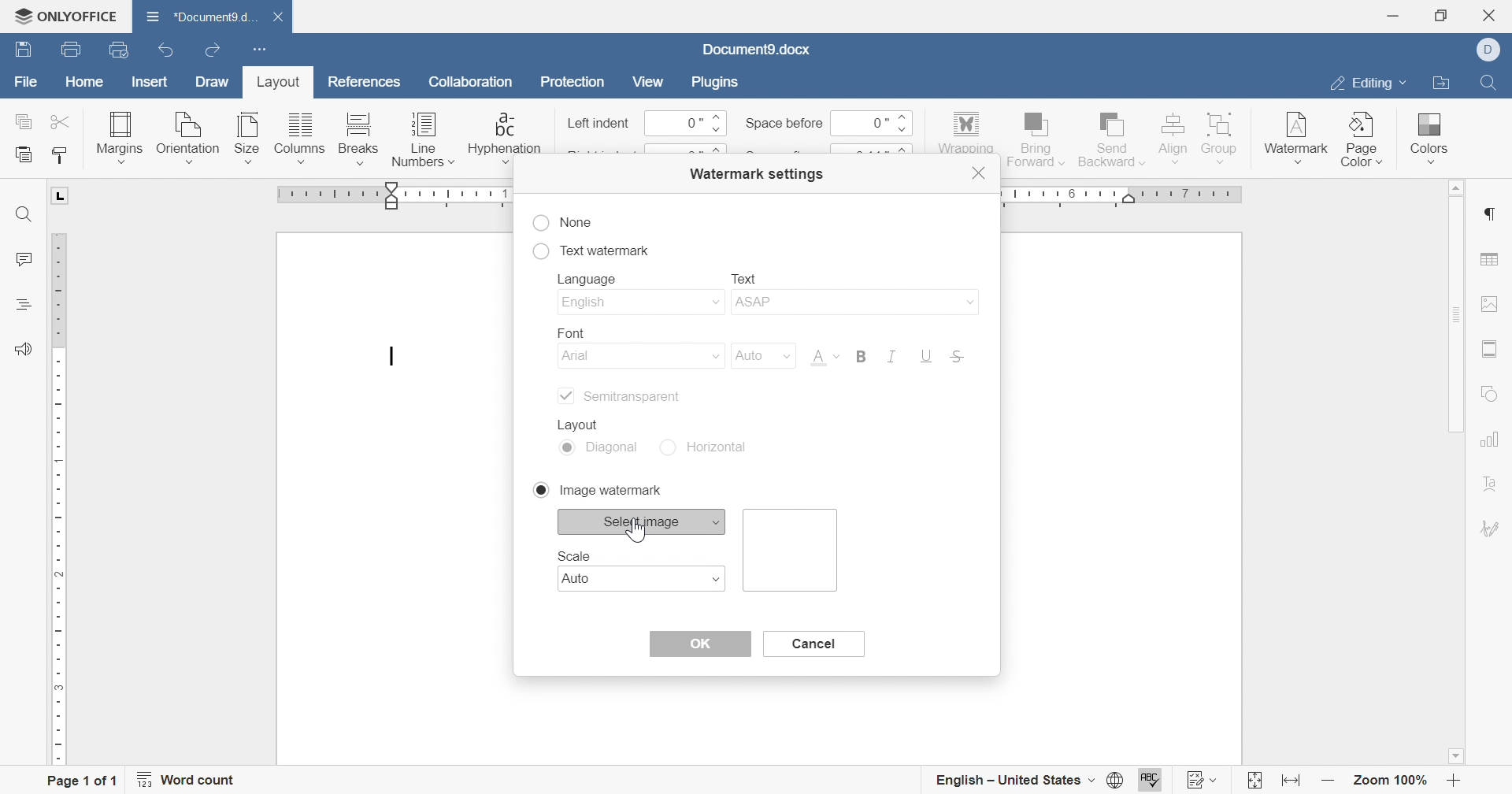 The height and width of the screenshot is (794, 1512). Describe the element at coordinates (198, 16) in the screenshot. I see `document name` at that location.